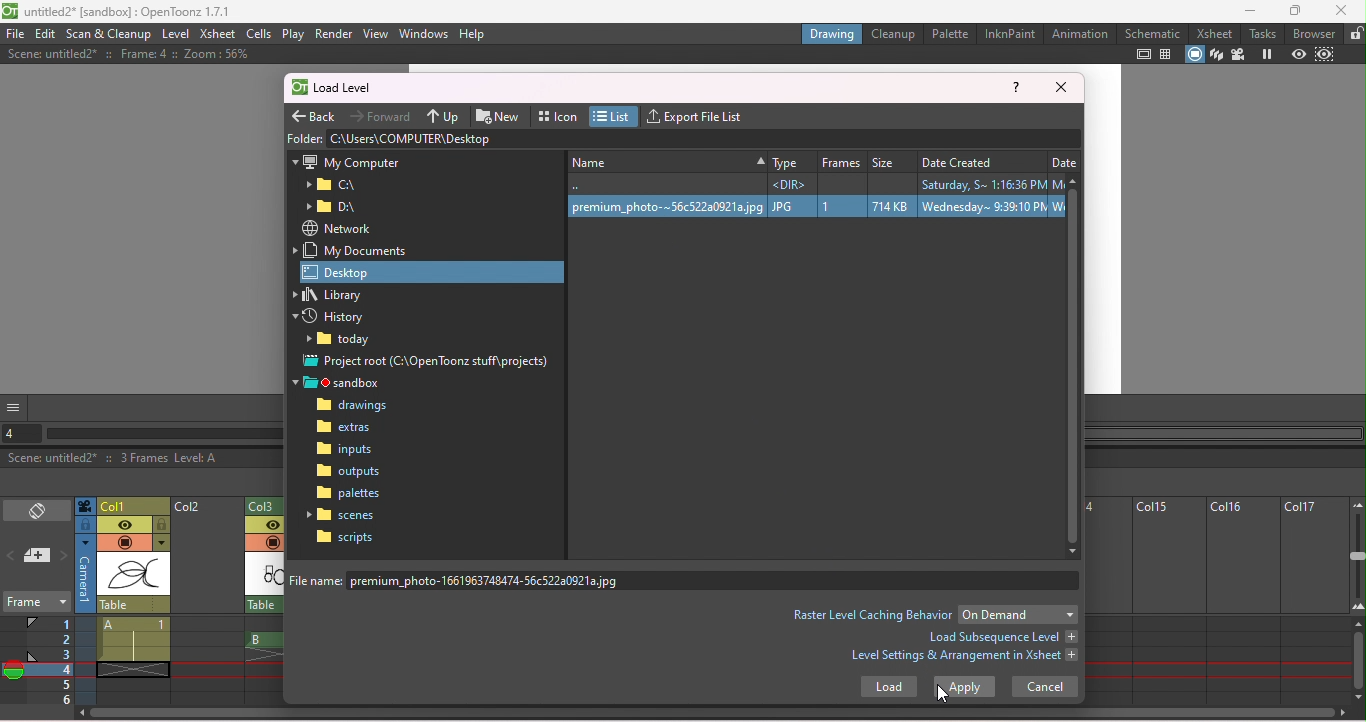 Image resolution: width=1366 pixels, height=722 pixels. What do you see at coordinates (1017, 89) in the screenshot?
I see `Help` at bounding box center [1017, 89].